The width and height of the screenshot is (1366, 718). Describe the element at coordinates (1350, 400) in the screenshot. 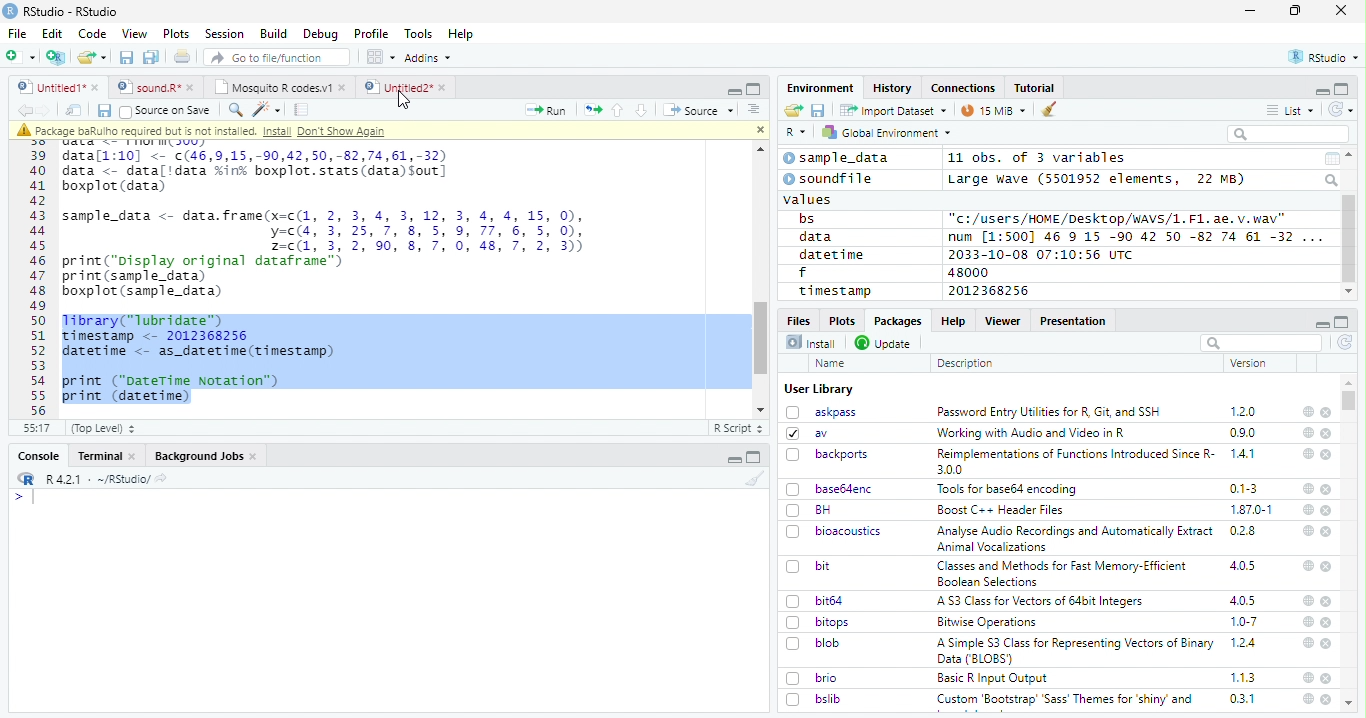

I see `scroll bar` at that location.